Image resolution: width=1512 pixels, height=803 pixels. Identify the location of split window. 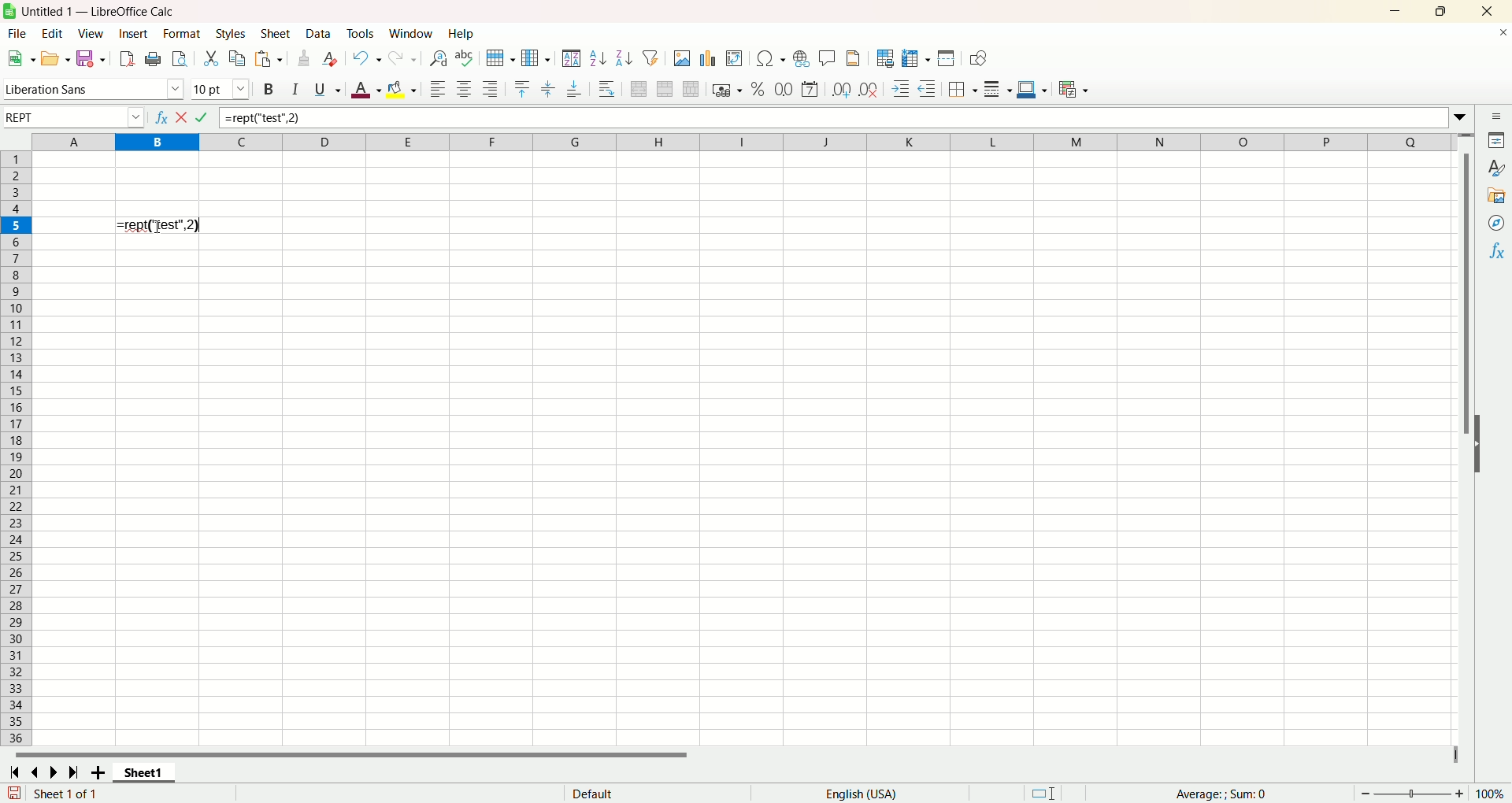
(945, 60).